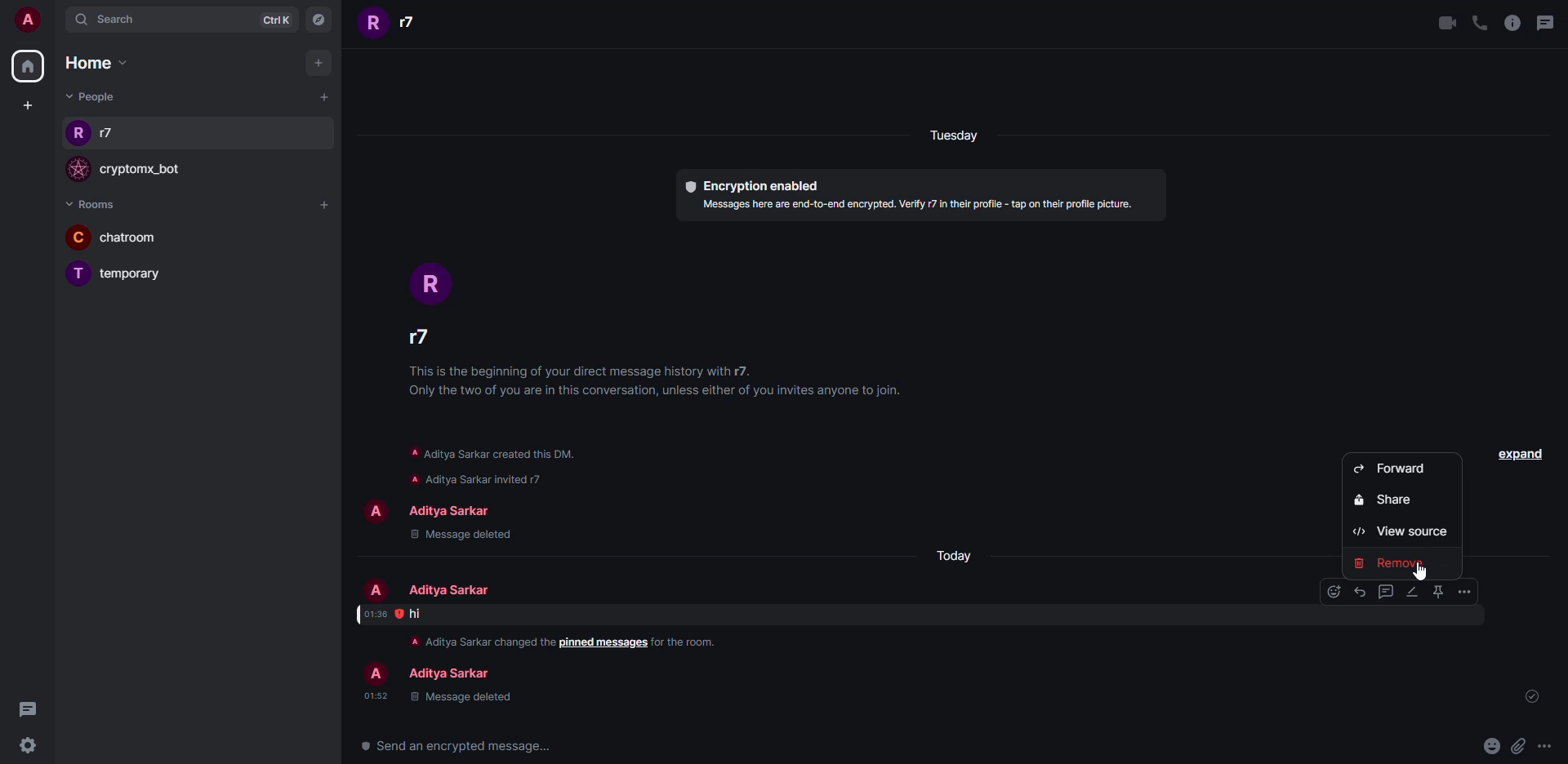  What do you see at coordinates (318, 60) in the screenshot?
I see `add` at bounding box center [318, 60].